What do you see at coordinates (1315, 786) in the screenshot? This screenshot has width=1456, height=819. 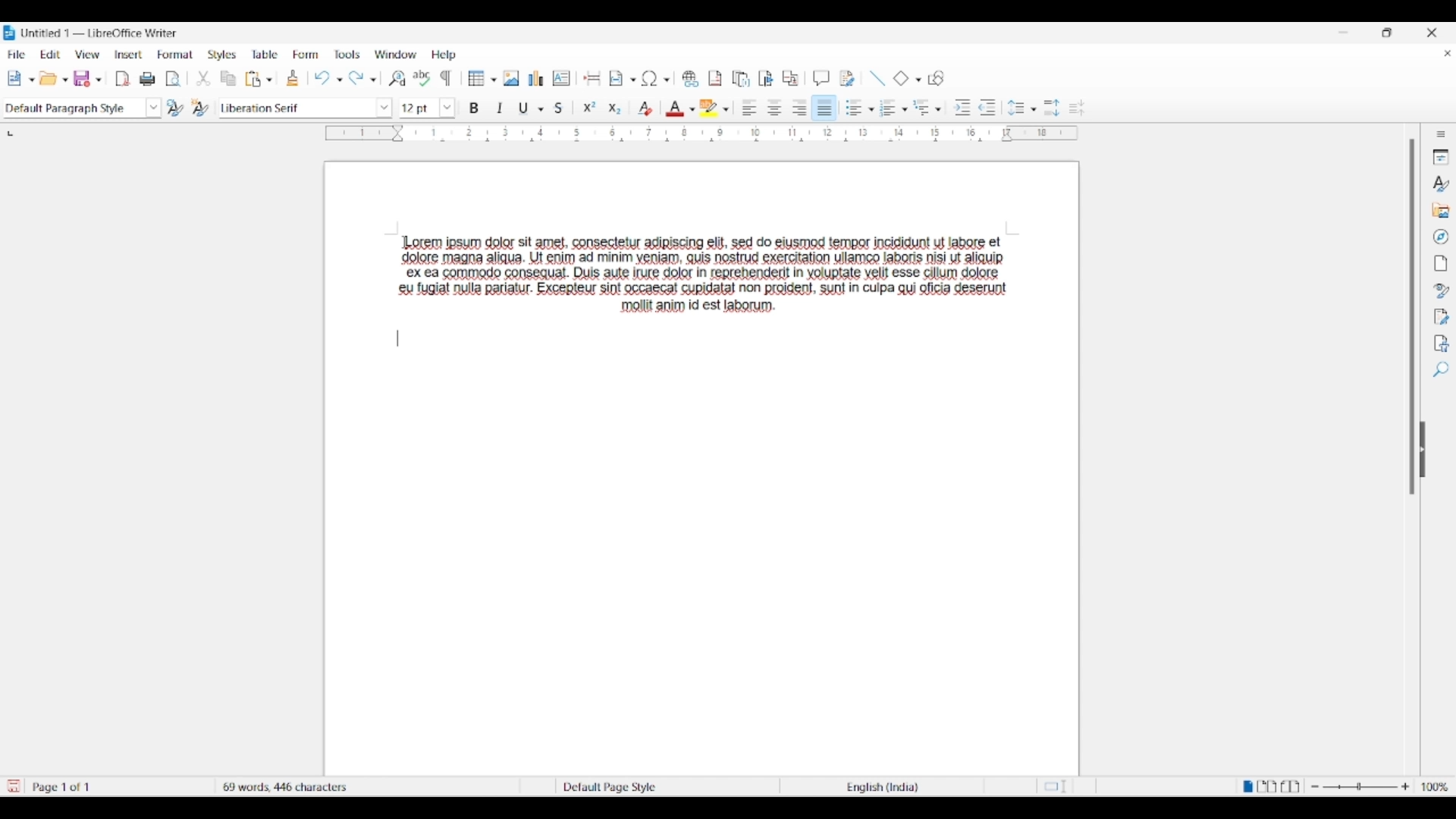 I see `Zoom out` at bounding box center [1315, 786].